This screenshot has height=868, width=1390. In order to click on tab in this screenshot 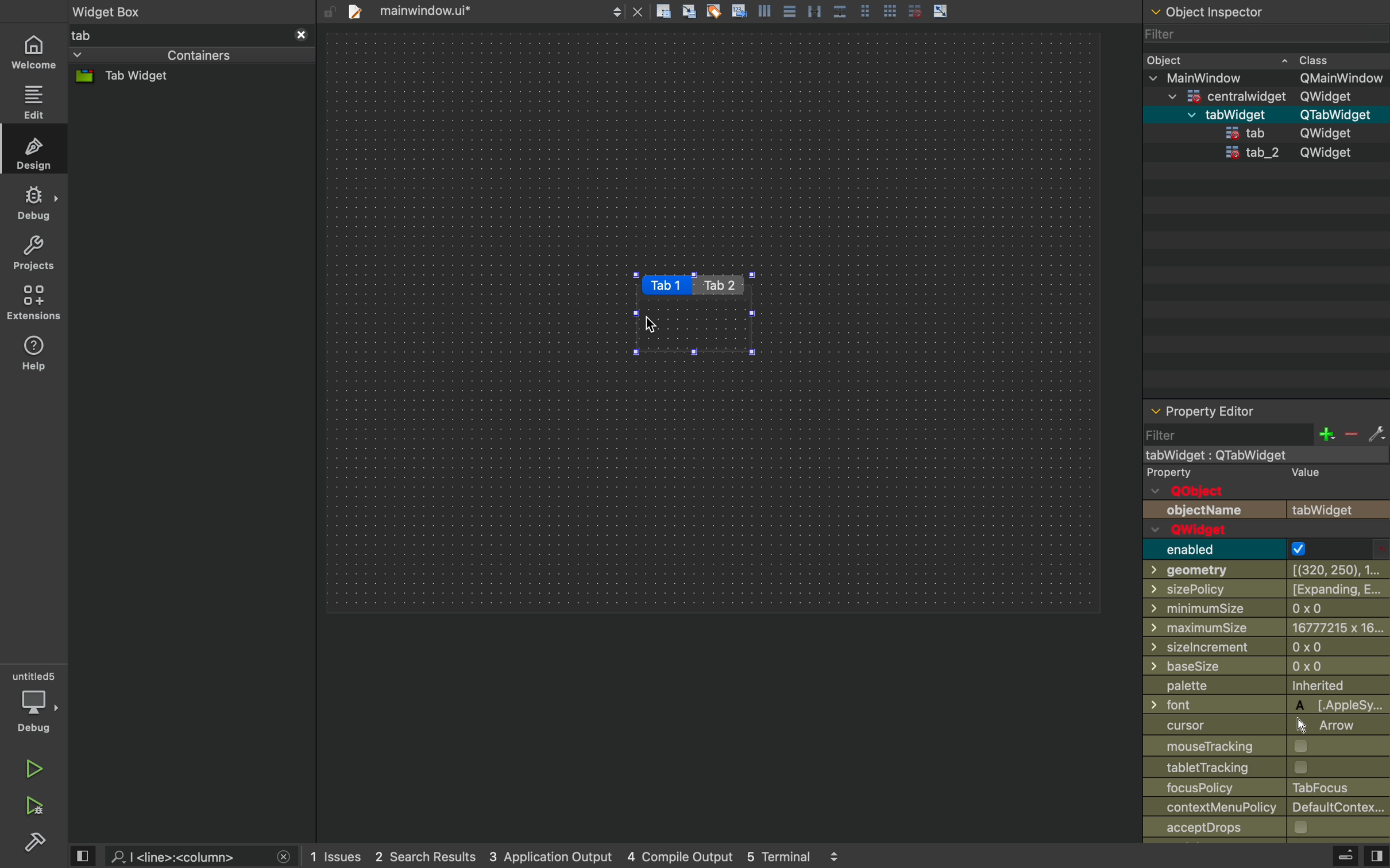, I will do `click(175, 34)`.